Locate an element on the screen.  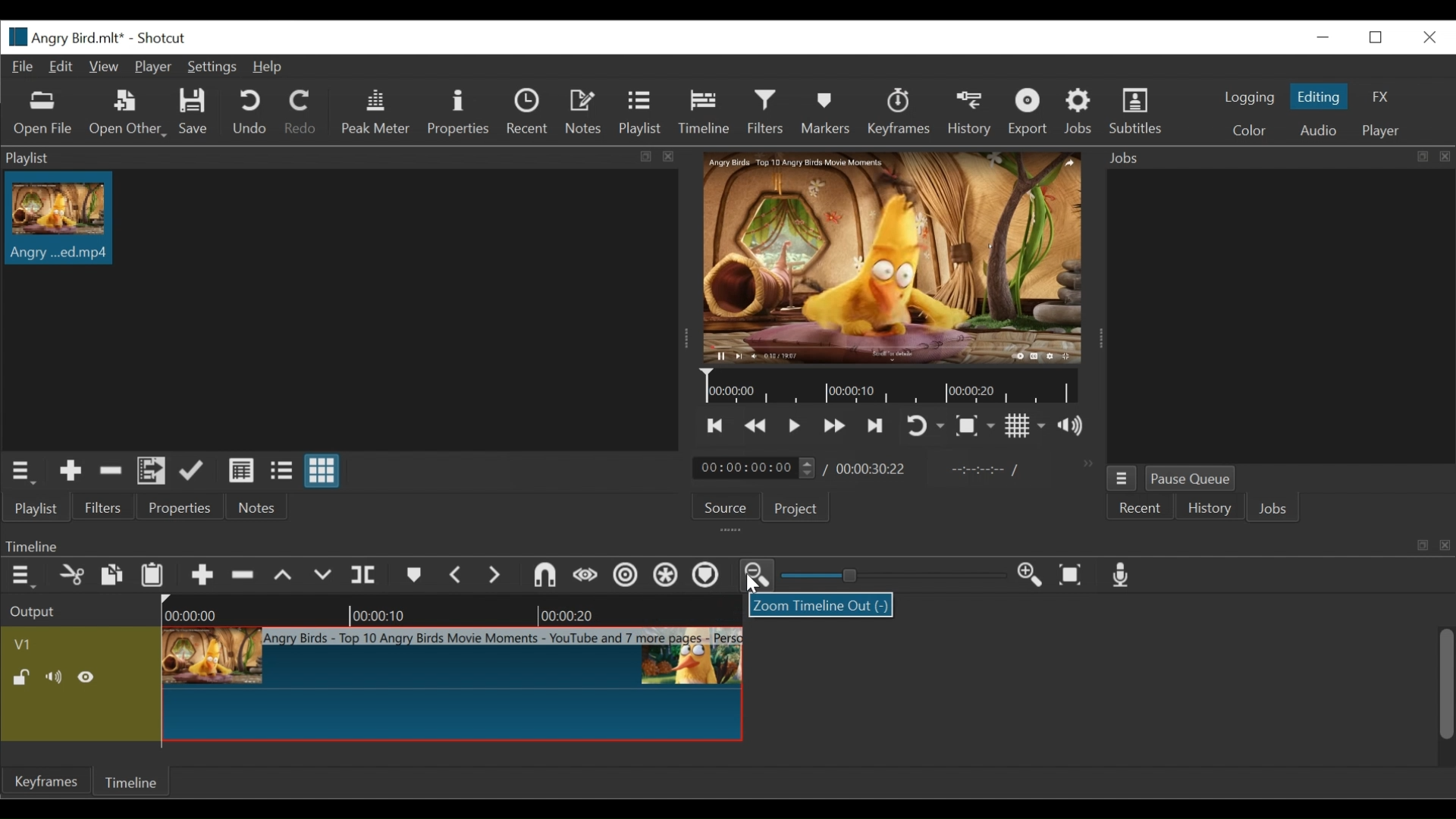
Scrub while dragging is located at coordinates (586, 576).